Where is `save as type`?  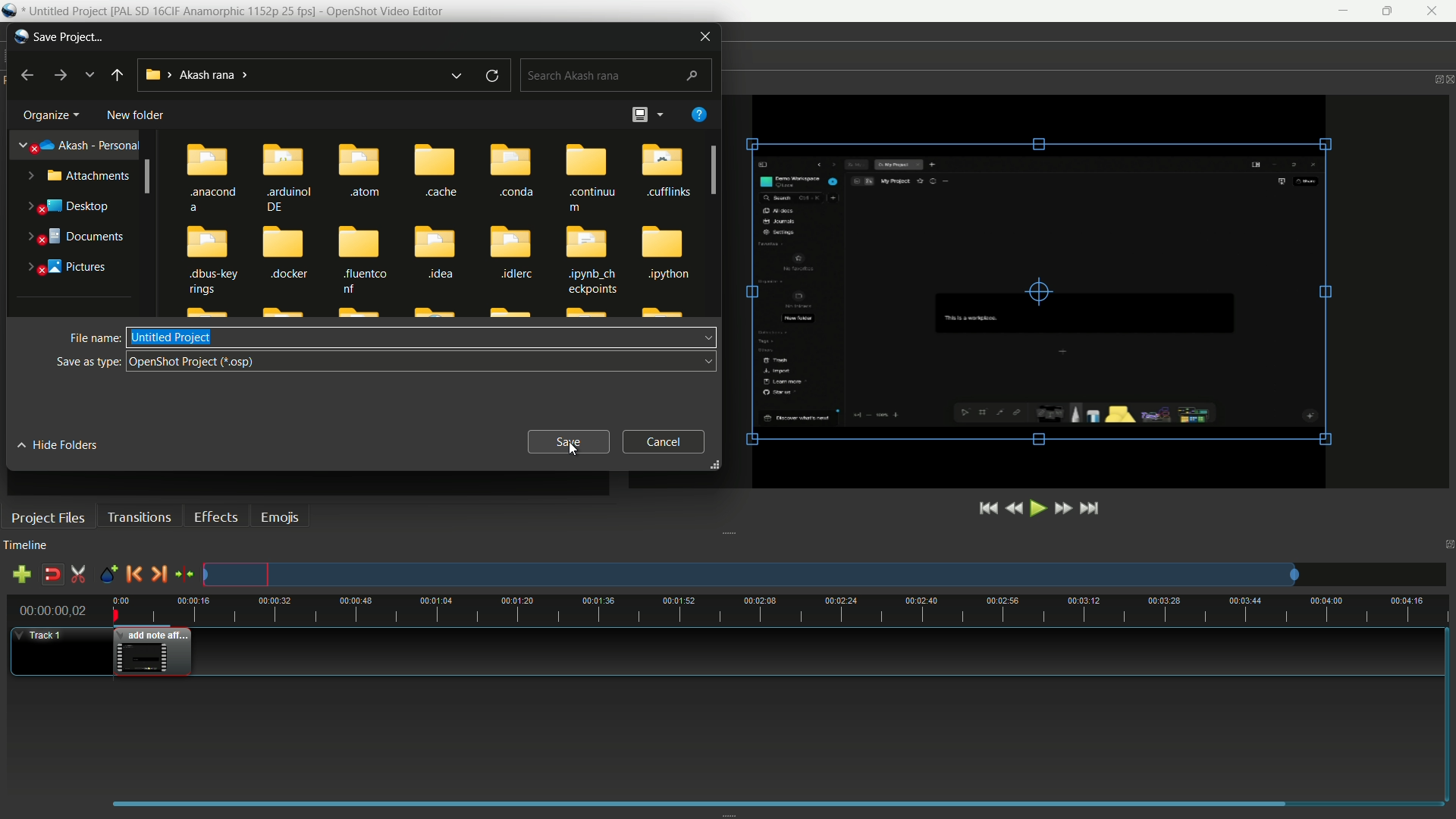
save as type is located at coordinates (88, 361).